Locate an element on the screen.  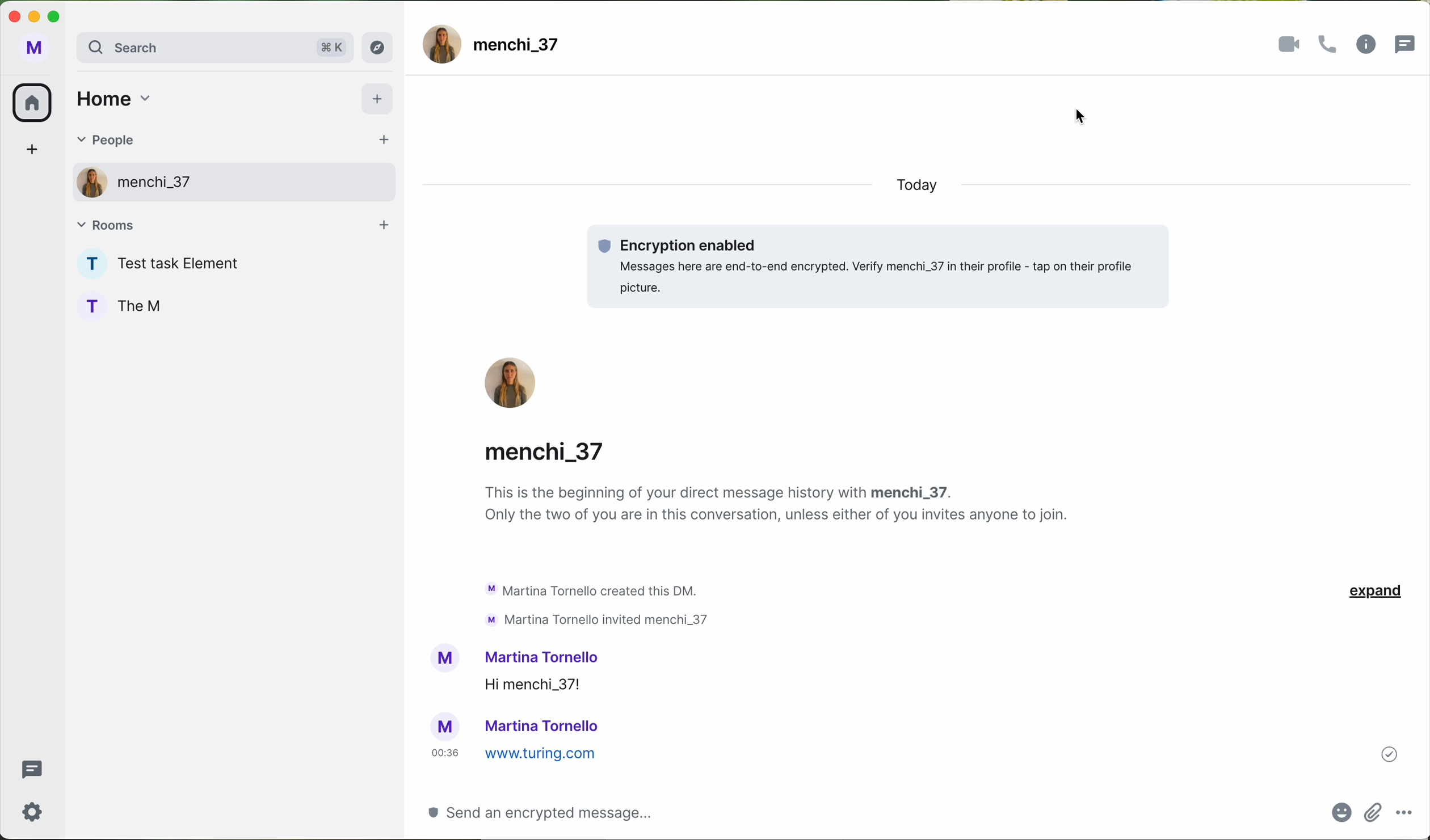
profile is located at coordinates (85, 181).